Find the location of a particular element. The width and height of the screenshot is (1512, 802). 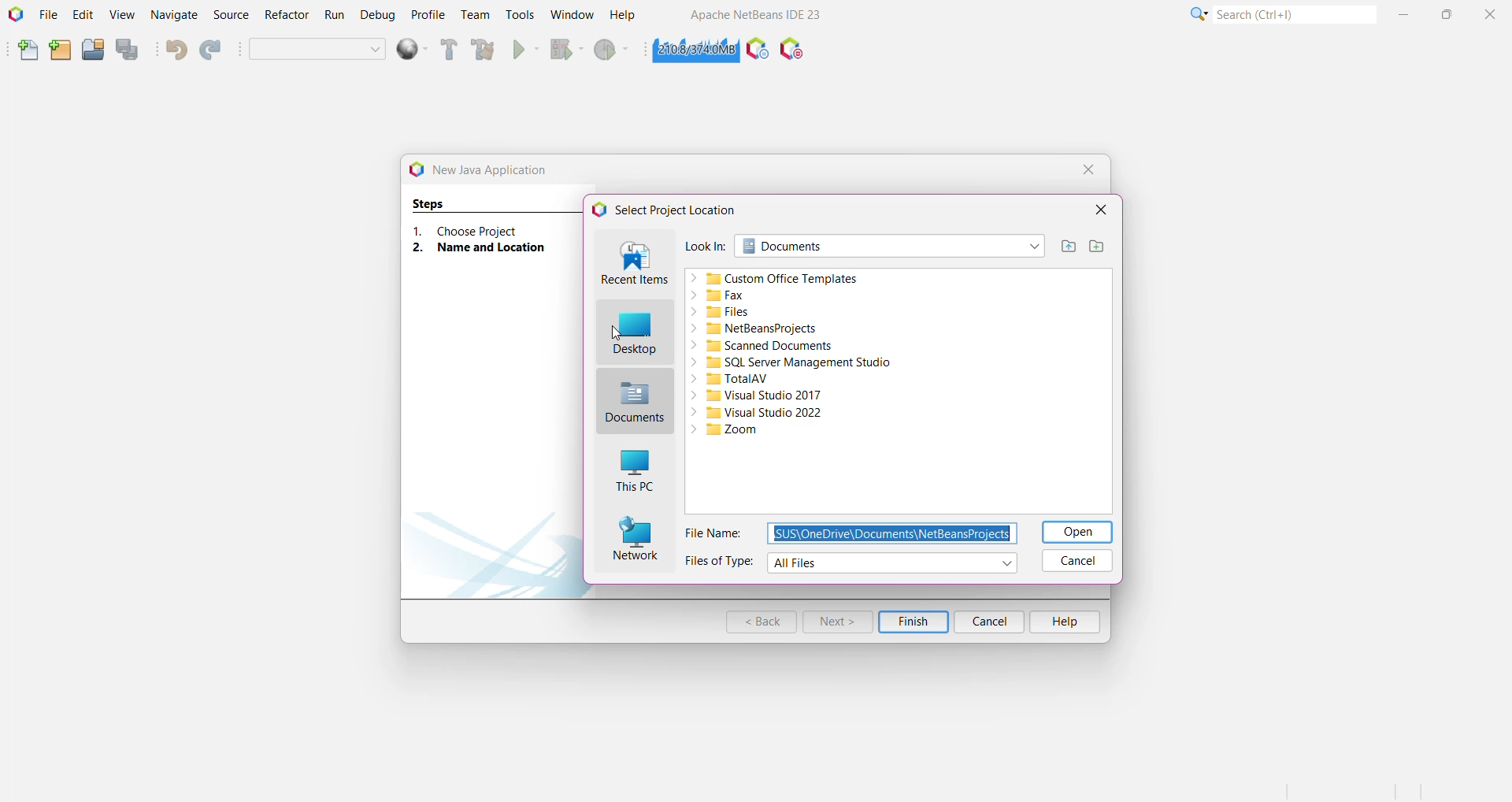

Cancel is located at coordinates (1077, 562).